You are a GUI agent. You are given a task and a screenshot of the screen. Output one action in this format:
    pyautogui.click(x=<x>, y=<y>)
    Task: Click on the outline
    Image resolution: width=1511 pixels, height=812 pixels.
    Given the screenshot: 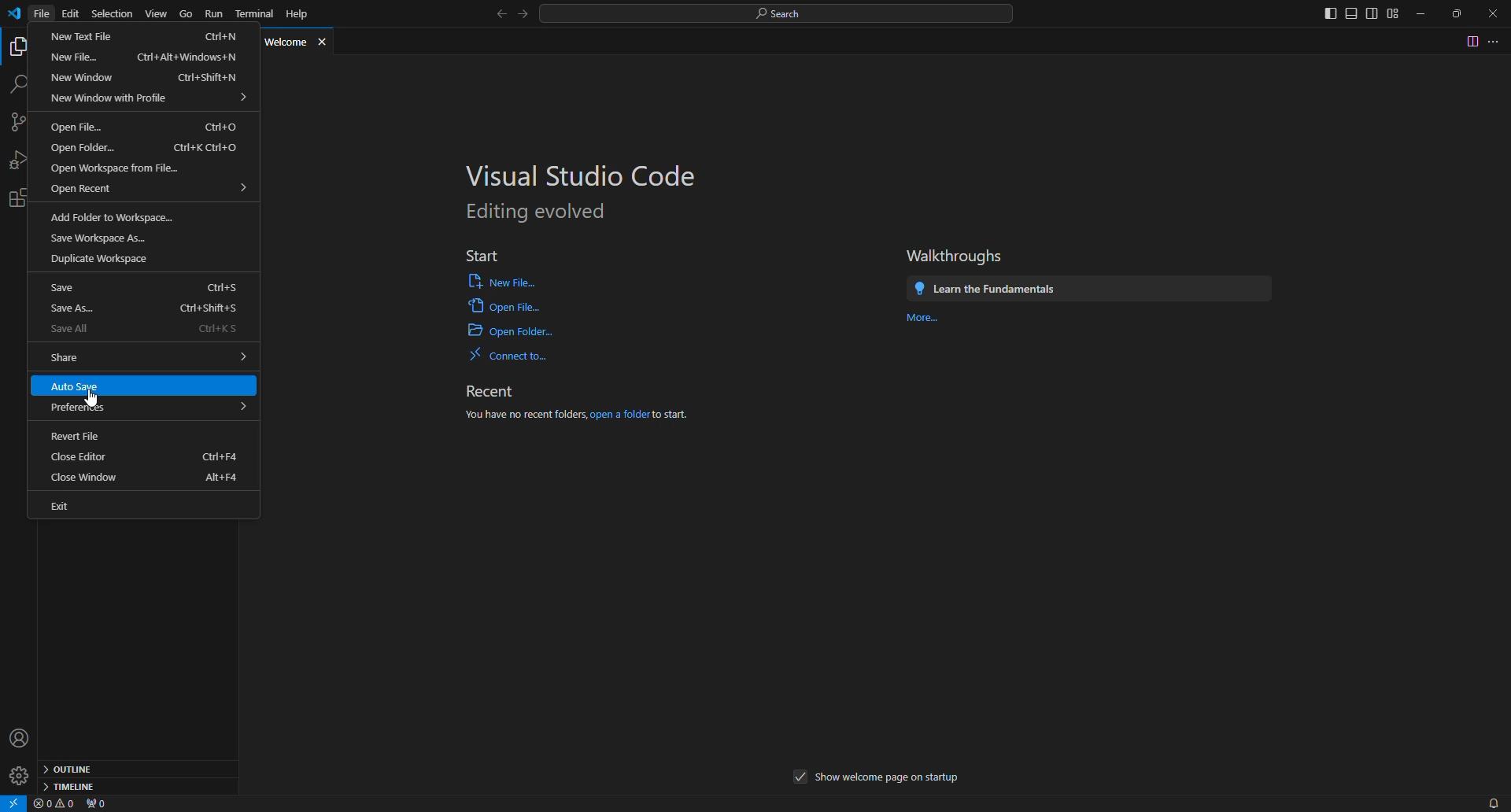 What is the action you would take?
    pyautogui.click(x=72, y=767)
    